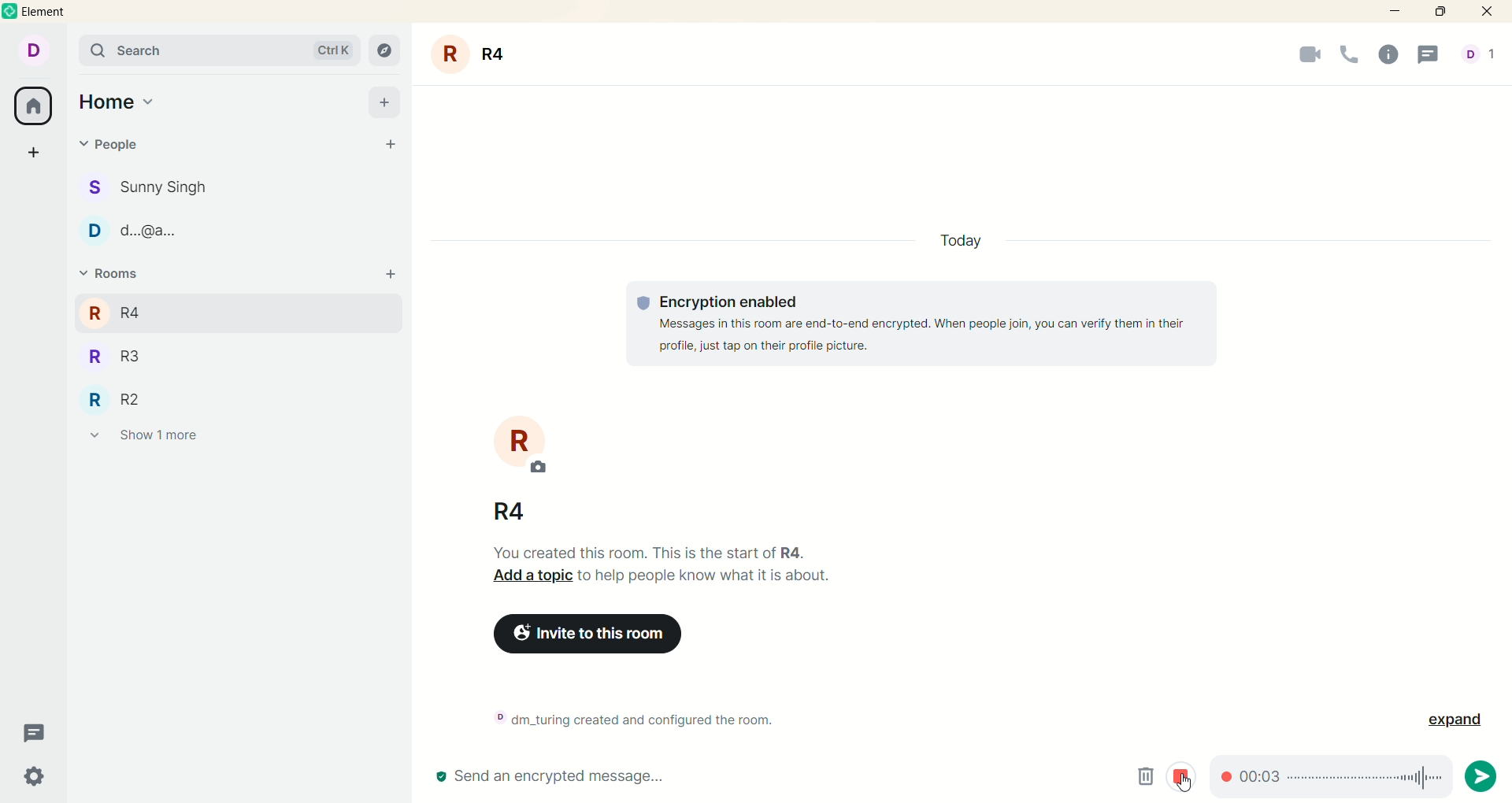 This screenshot has width=1512, height=803. Describe the element at coordinates (513, 511) in the screenshot. I see `room name` at that location.